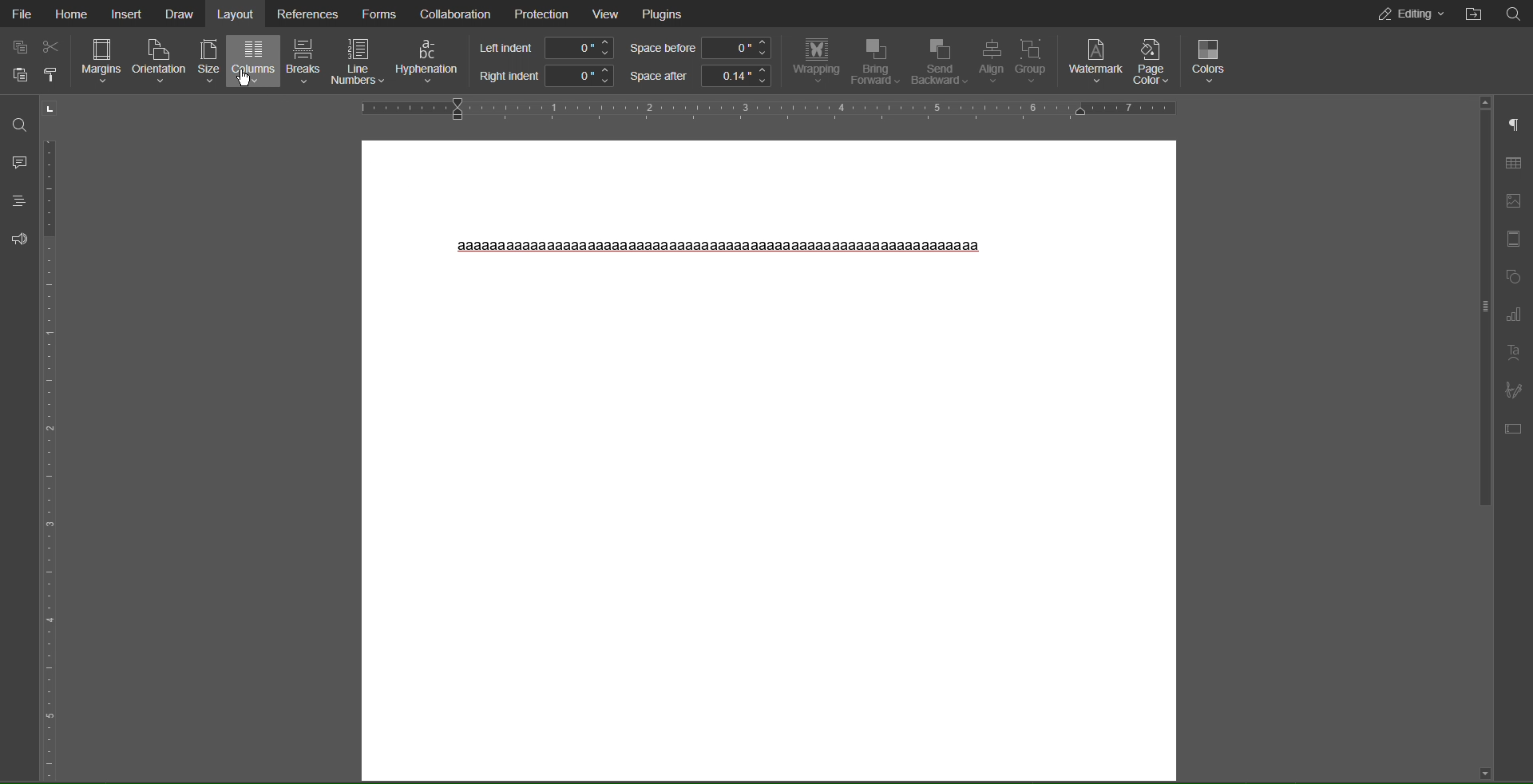  I want to click on Paragraph Settings, so click(1514, 126).